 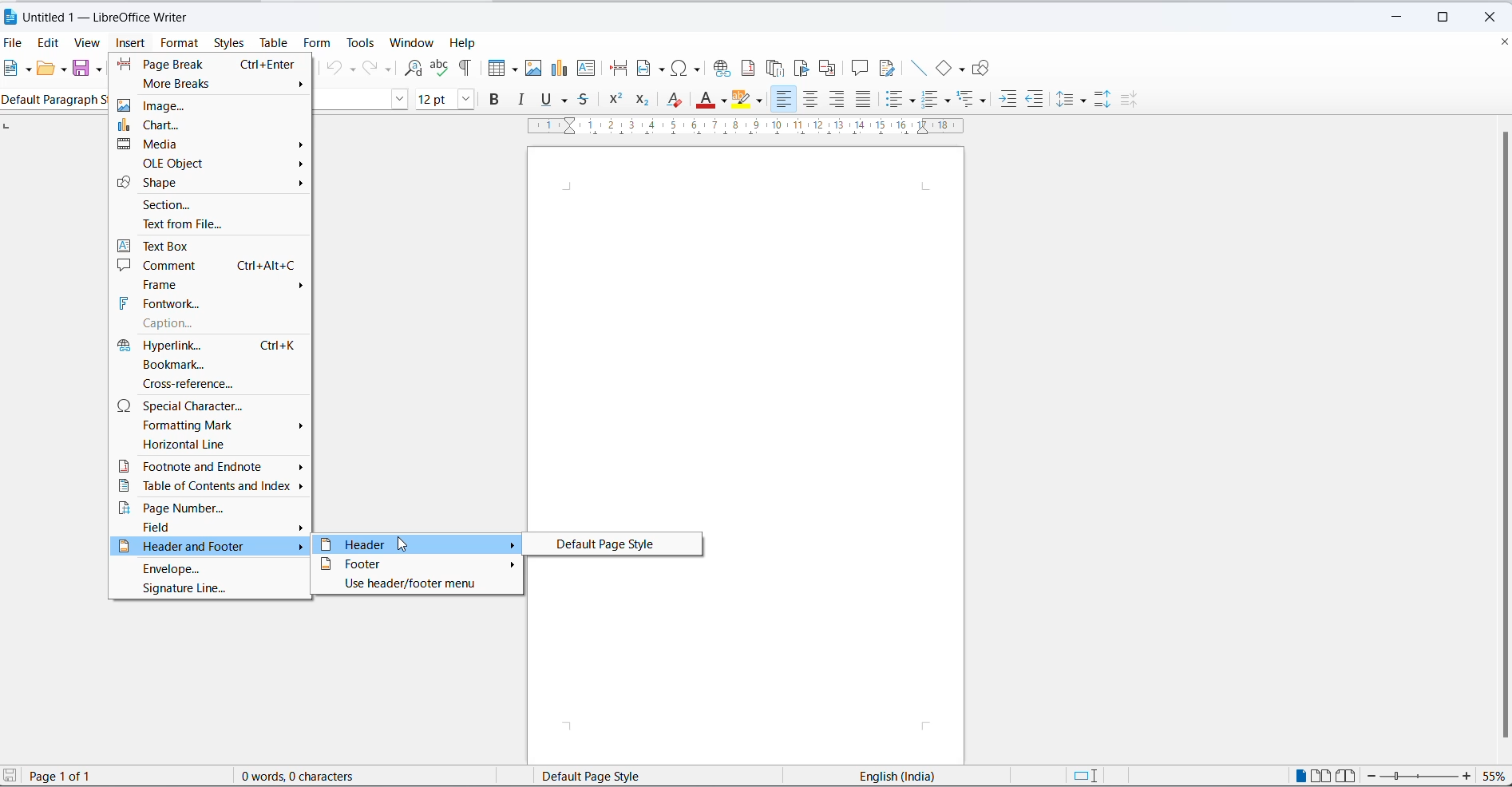 I want to click on default page style, so click(x=611, y=543).